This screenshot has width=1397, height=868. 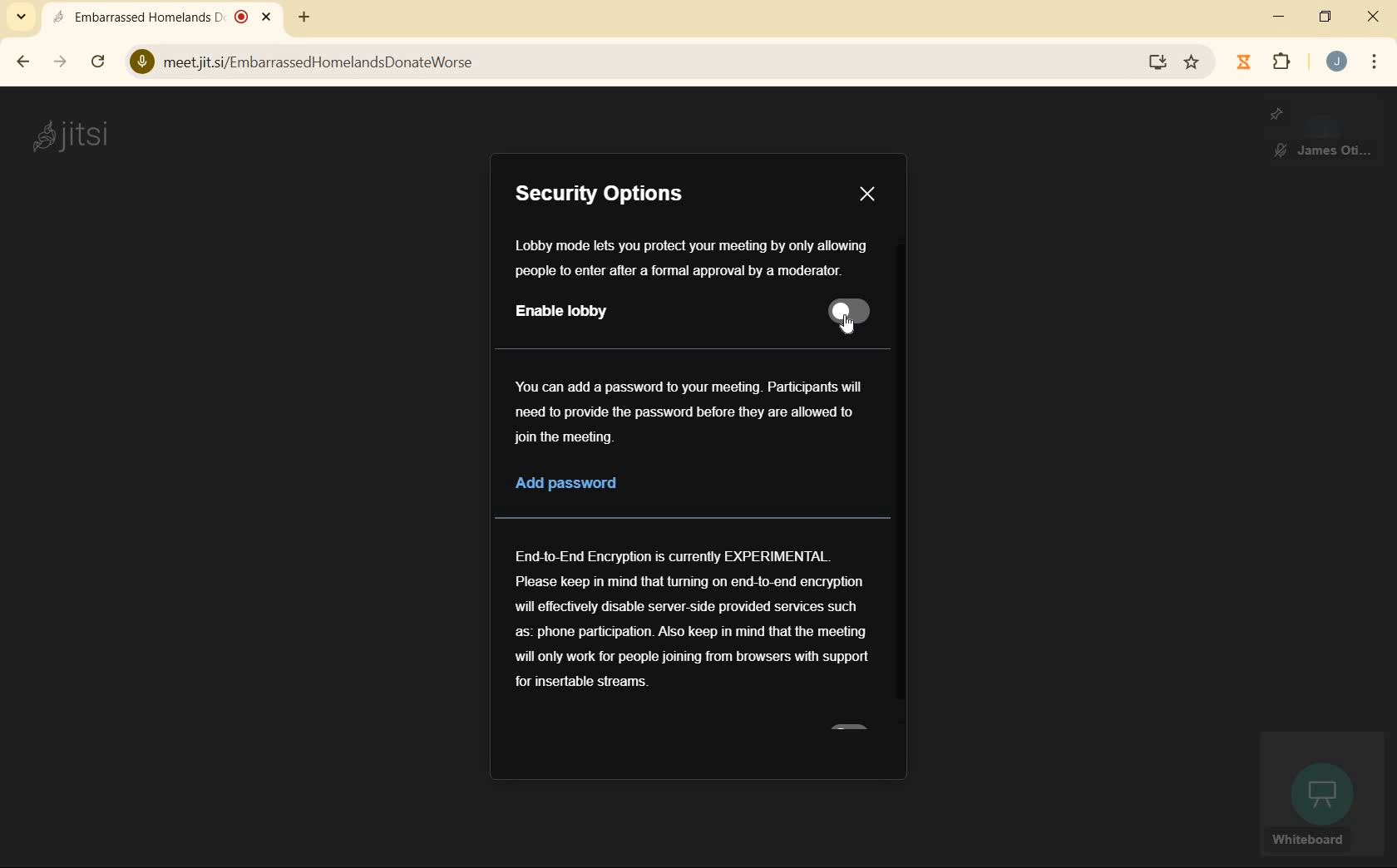 What do you see at coordinates (1159, 62) in the screenshot?
I see `install` at bounding box center [1159, 62].